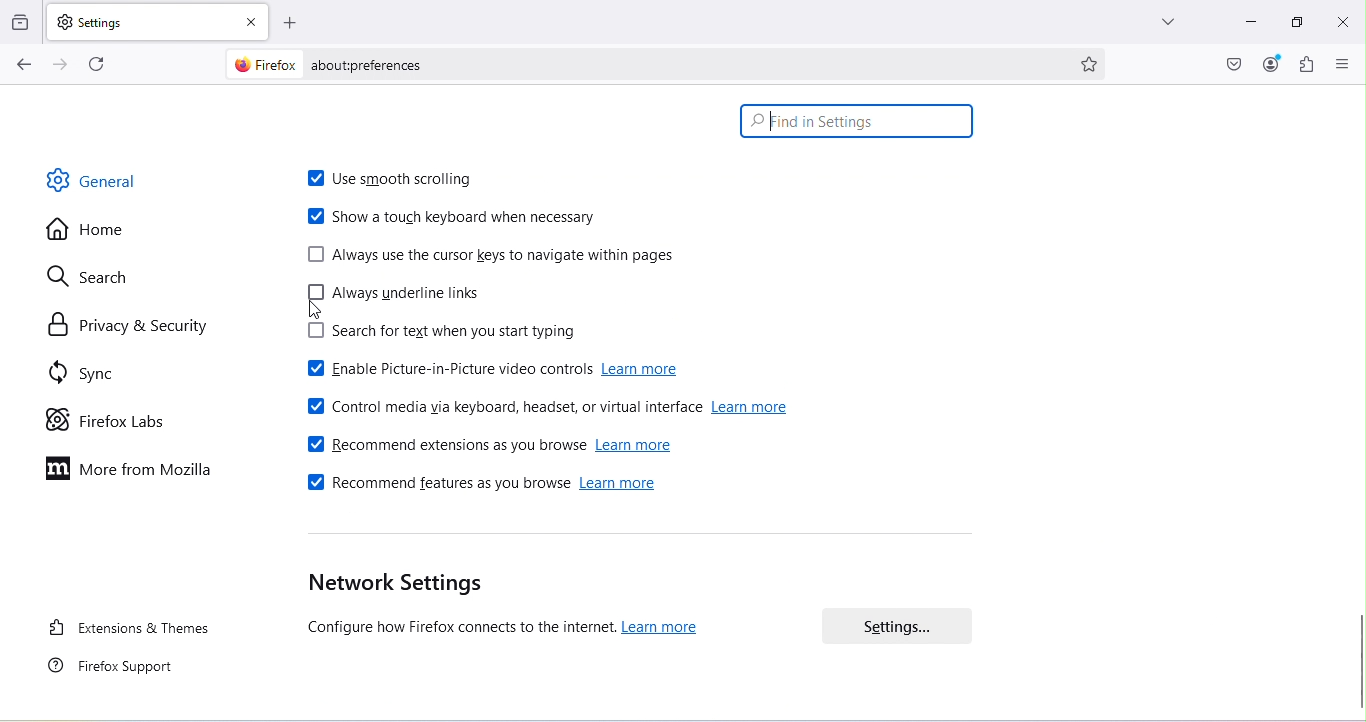 The image size is (1366, 722). Describe the element at coordinates (142, 21) in the screenshot. I see `New tab` at that location.